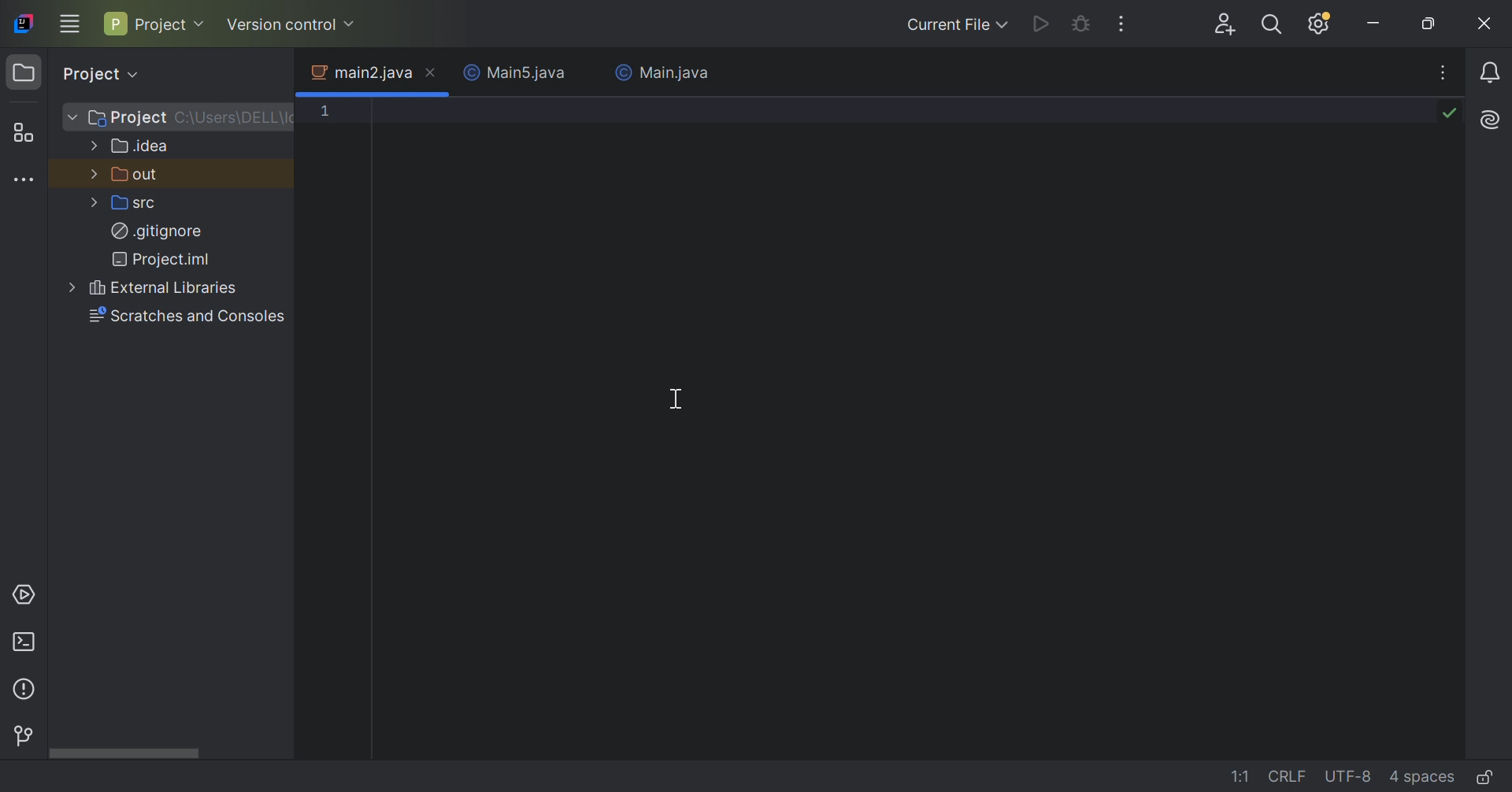  I want to click on More actions, so click(1123, 25).